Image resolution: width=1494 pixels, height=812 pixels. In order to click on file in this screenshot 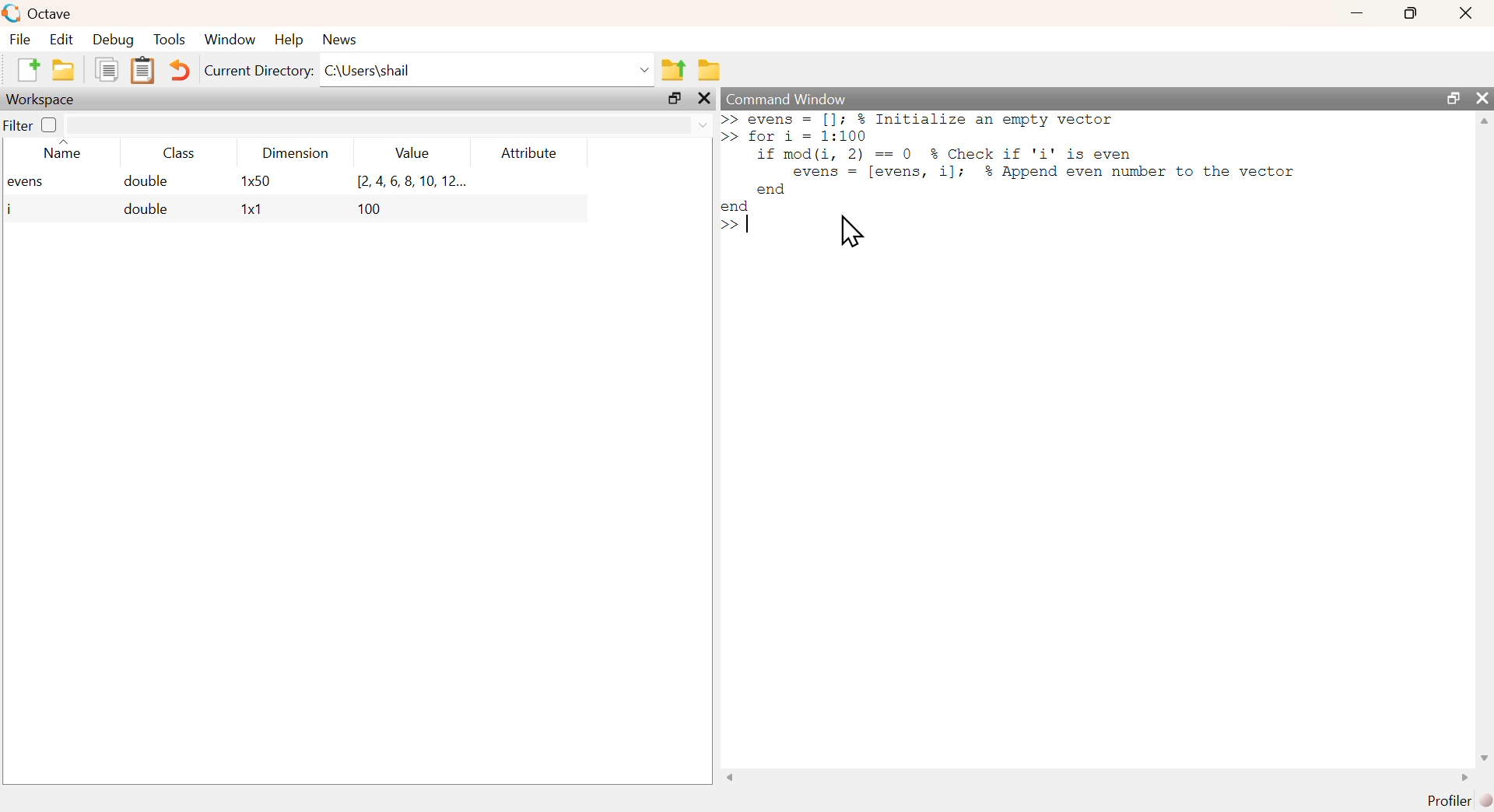, I will do `click(21, 40)`.